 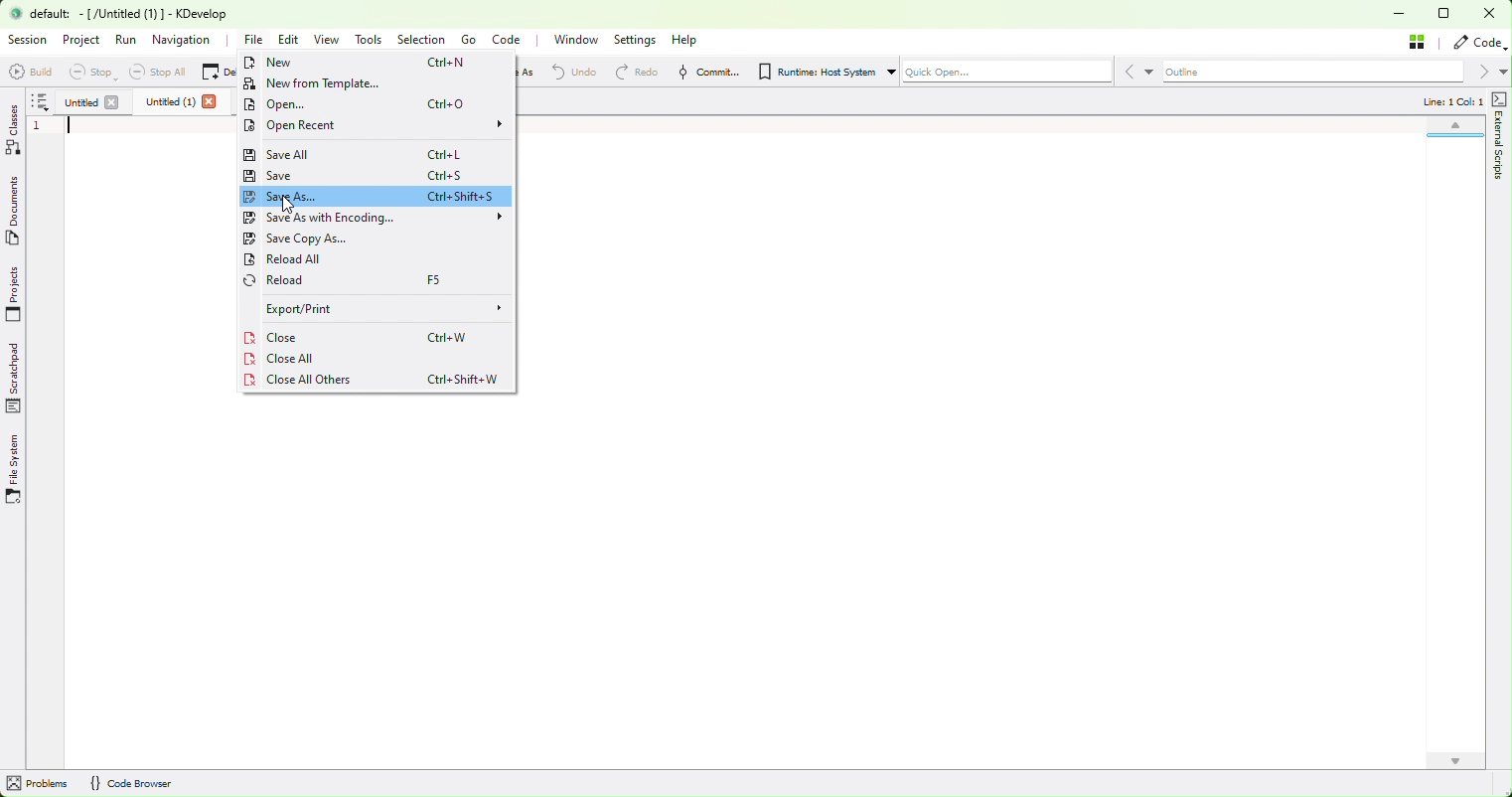 What do you see at coordinates (322, 239) in the screenshot?
I see `Save copy as` at bounding box center [322, 239].